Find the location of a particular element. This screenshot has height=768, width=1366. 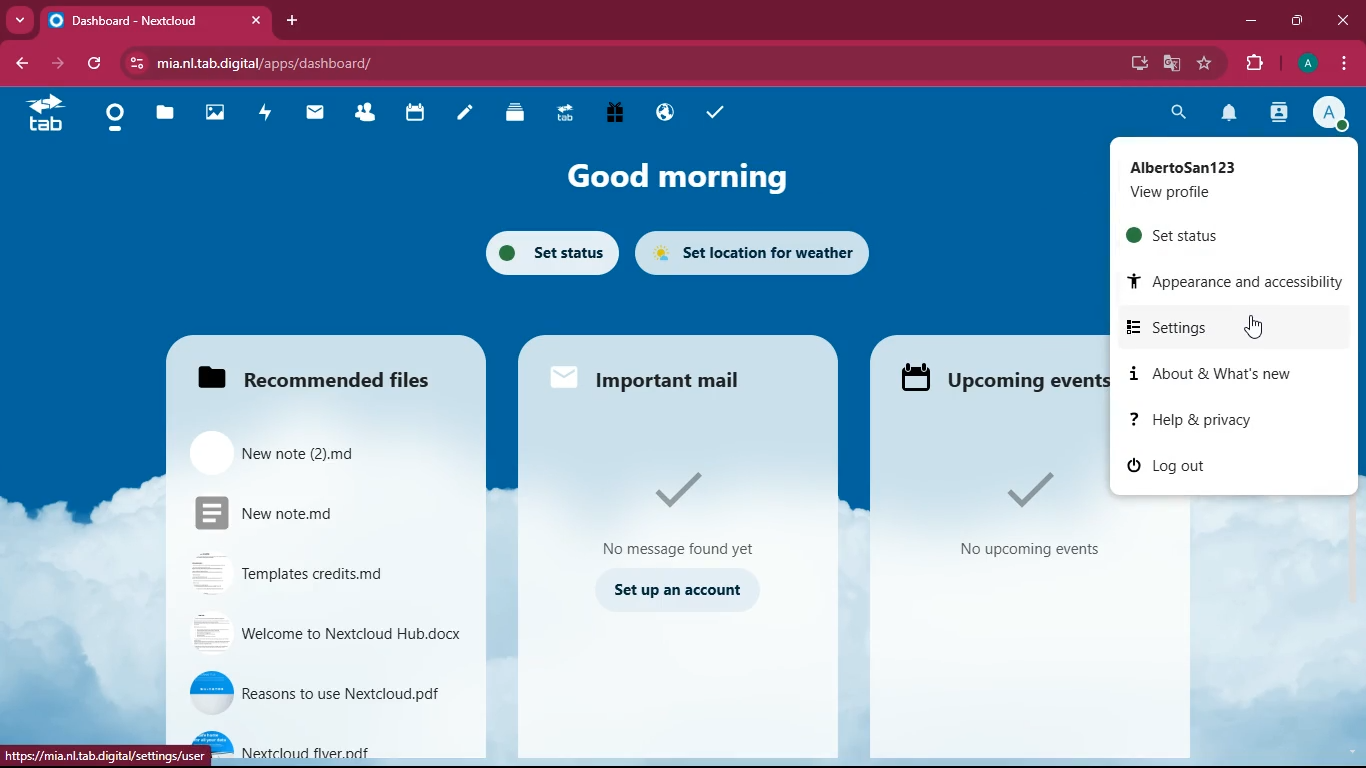

close is located at coordinates (1342, 20).